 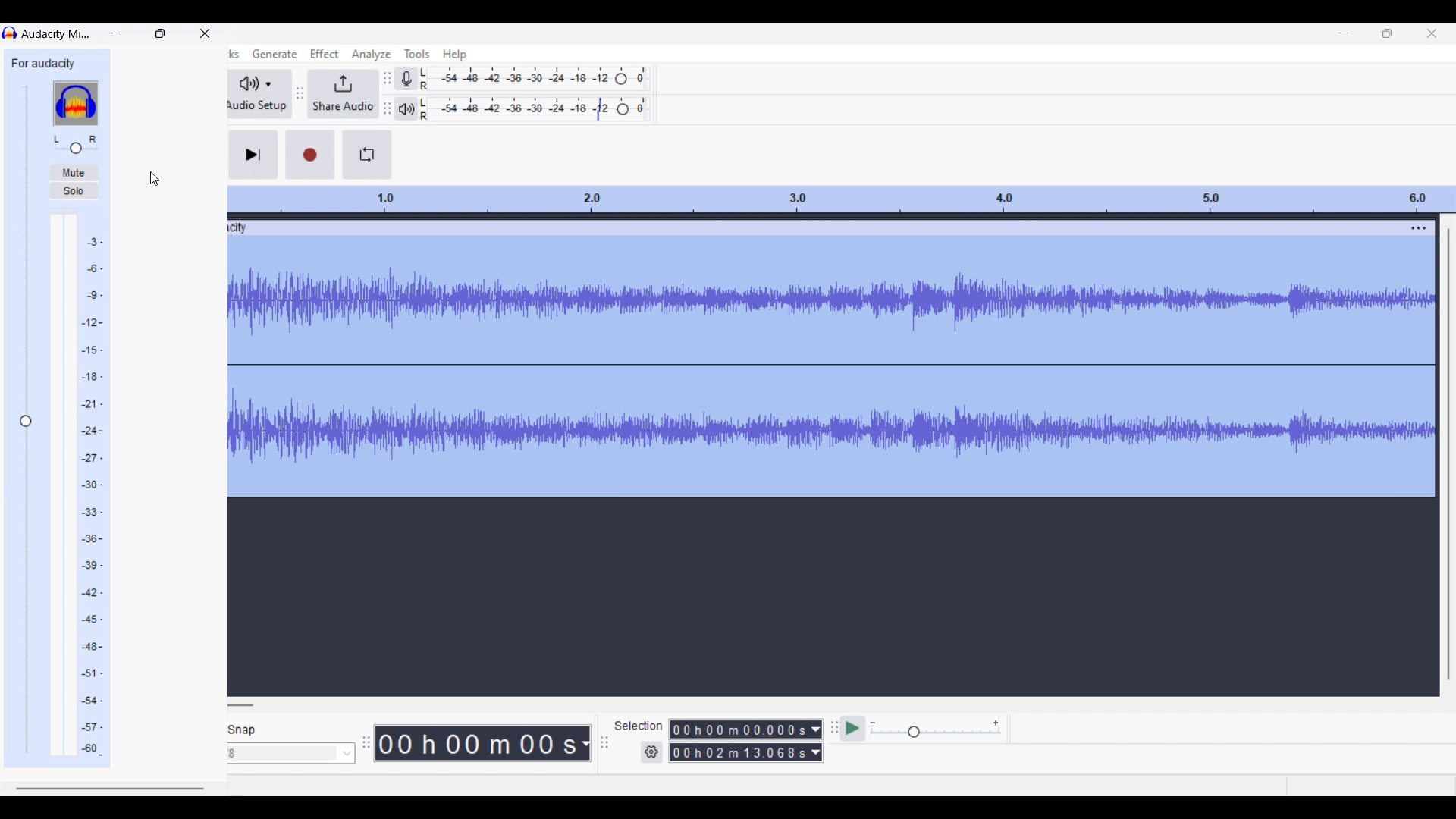 What do you see at coordinates (73, 190) in the screenshot?
I see `Solo` at bounding box center [73, 190].